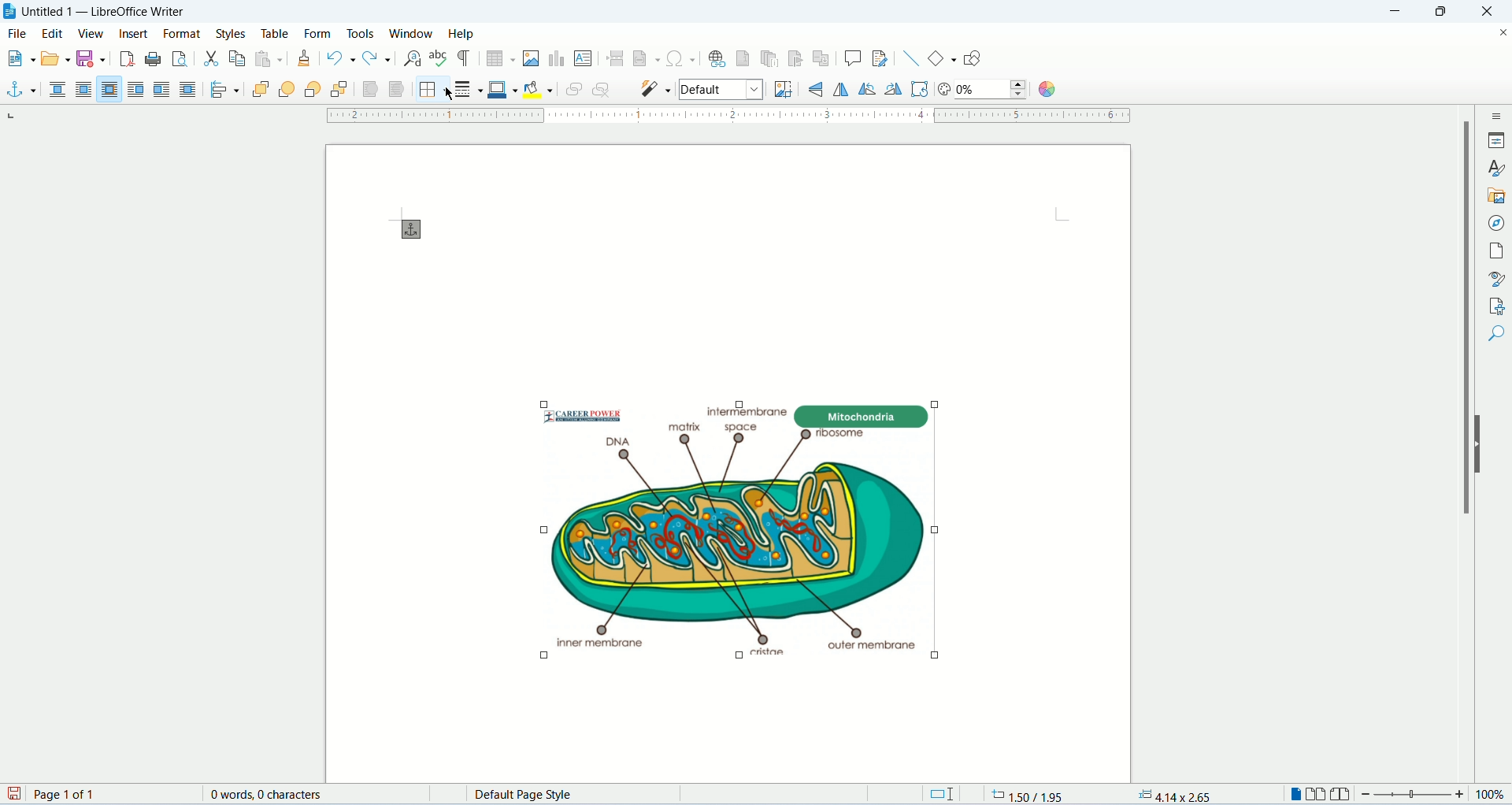 The height and width of the screenshot is (805, 1512). Describe the element at coordinates (780, 89) in the screenshot. I see `crop image` at that location.